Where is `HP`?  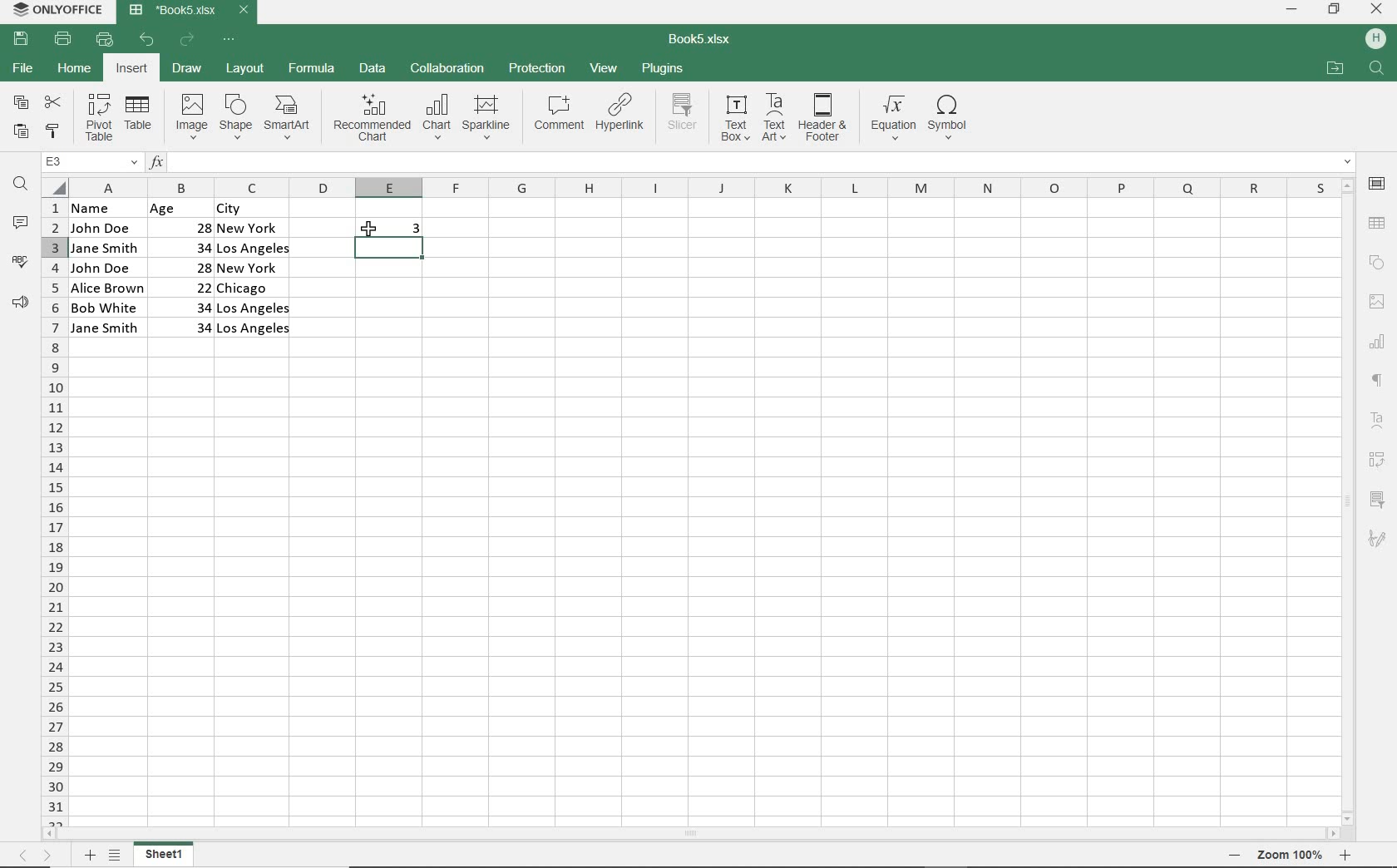
HP is located at coordinates (1379, 36).